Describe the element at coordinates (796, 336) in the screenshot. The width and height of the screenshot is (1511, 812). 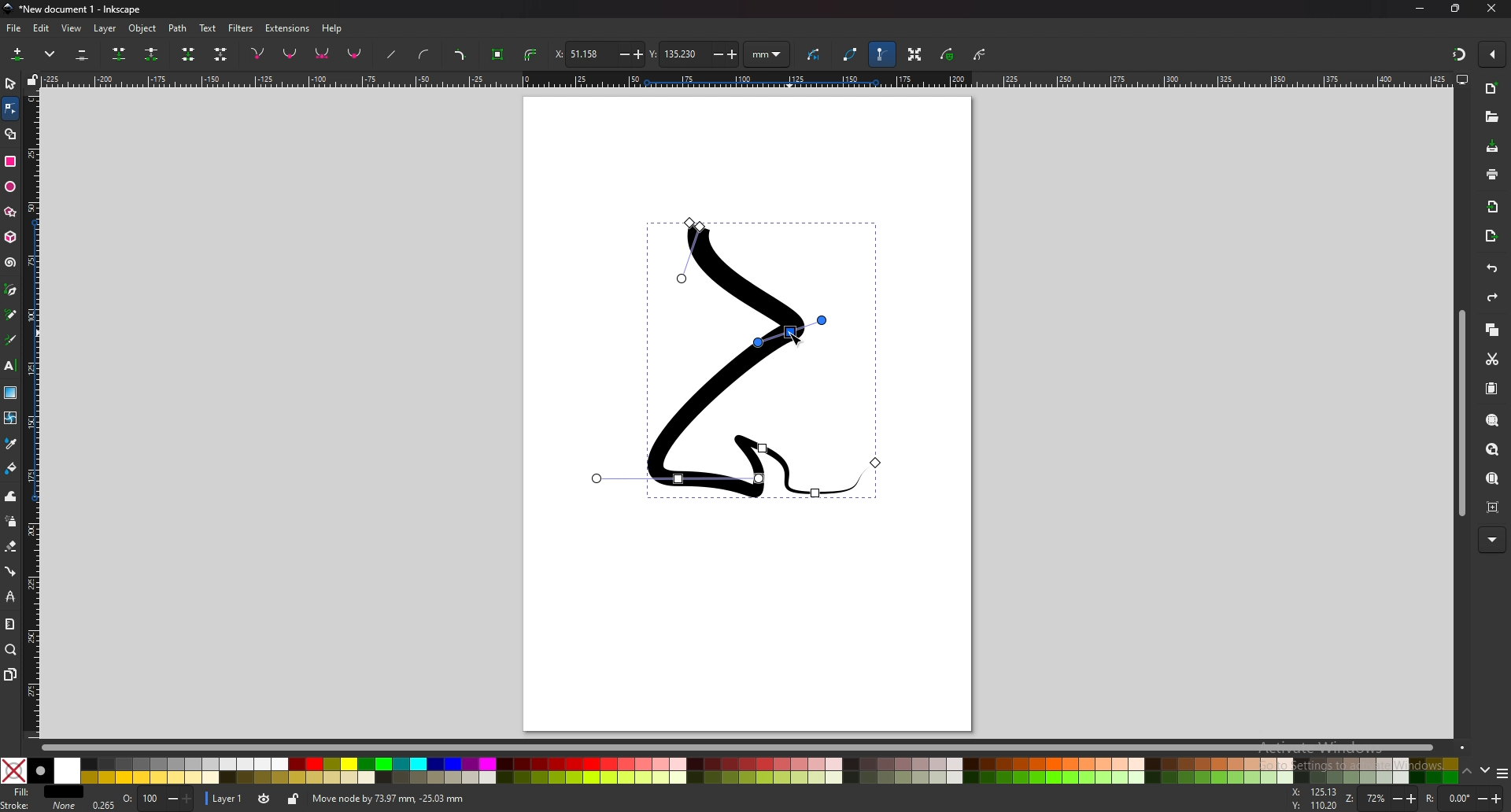
I see `cursor` at that location.